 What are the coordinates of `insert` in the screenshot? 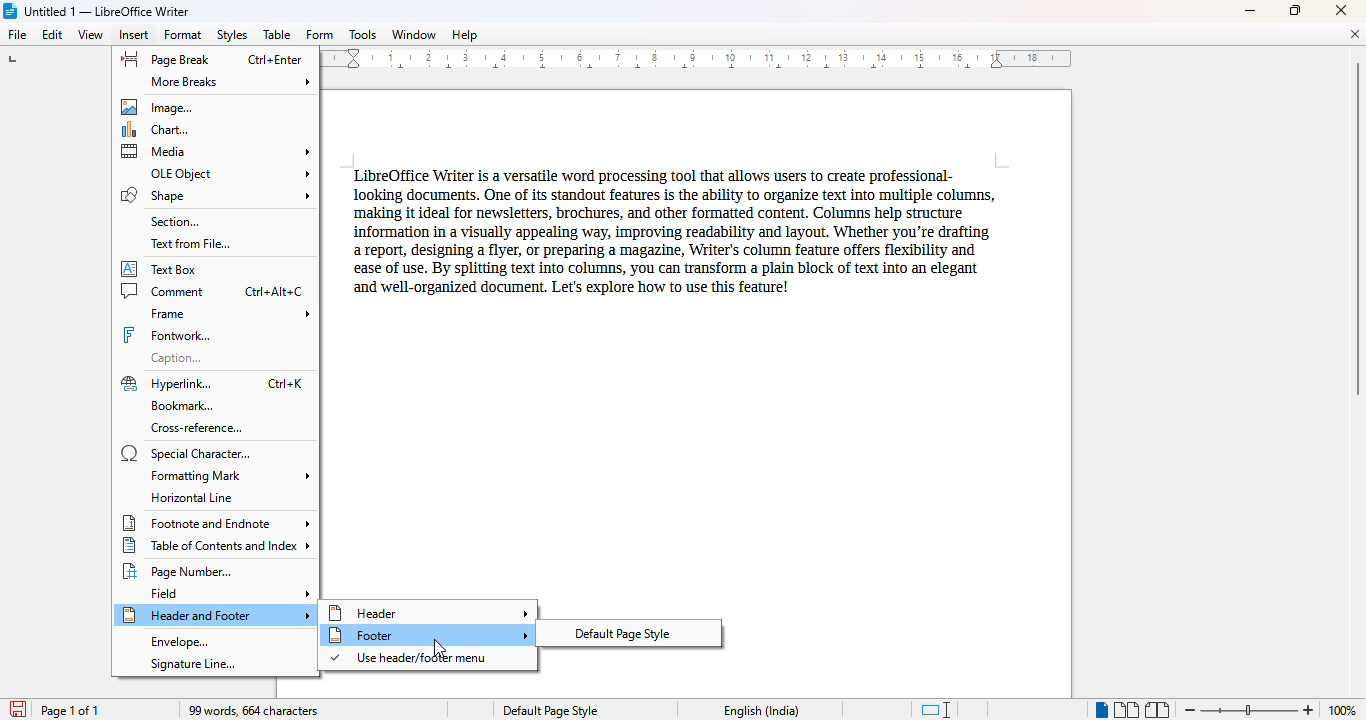 It's located at (135, 35).